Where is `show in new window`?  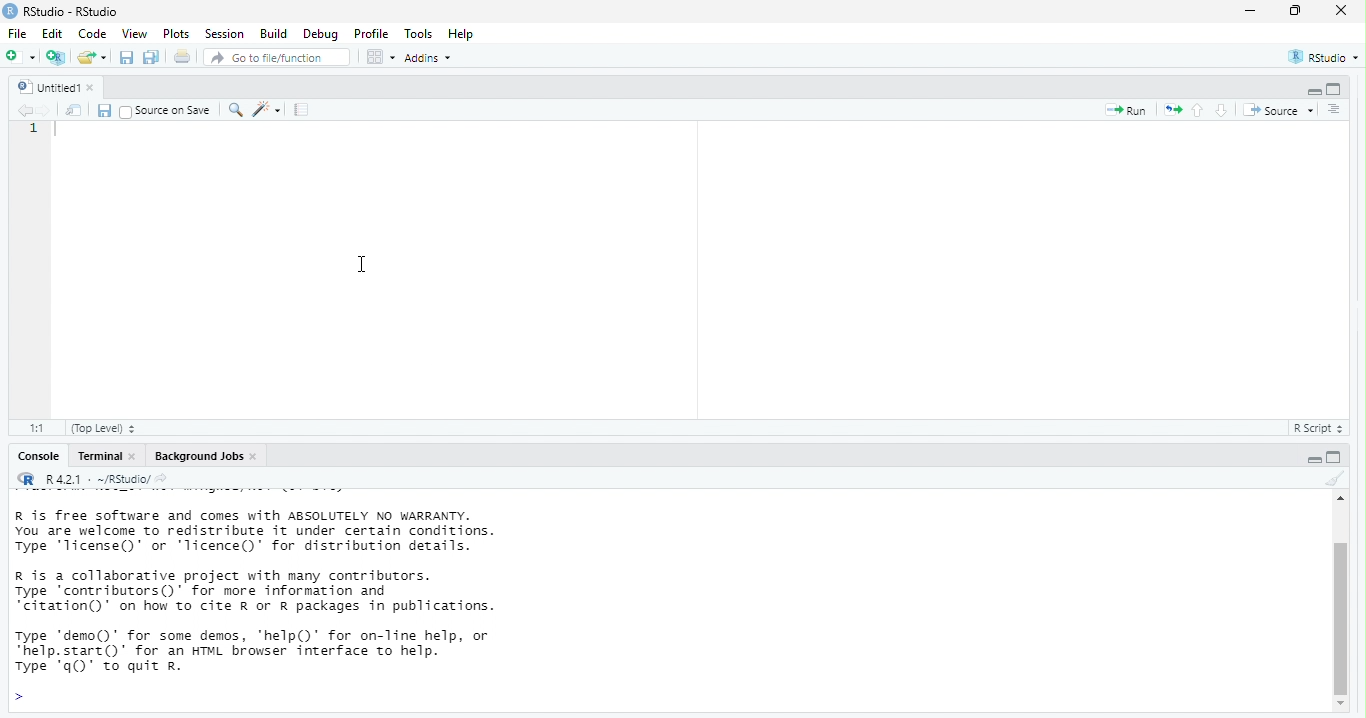 show in new window is located at coordinates (74, 110).